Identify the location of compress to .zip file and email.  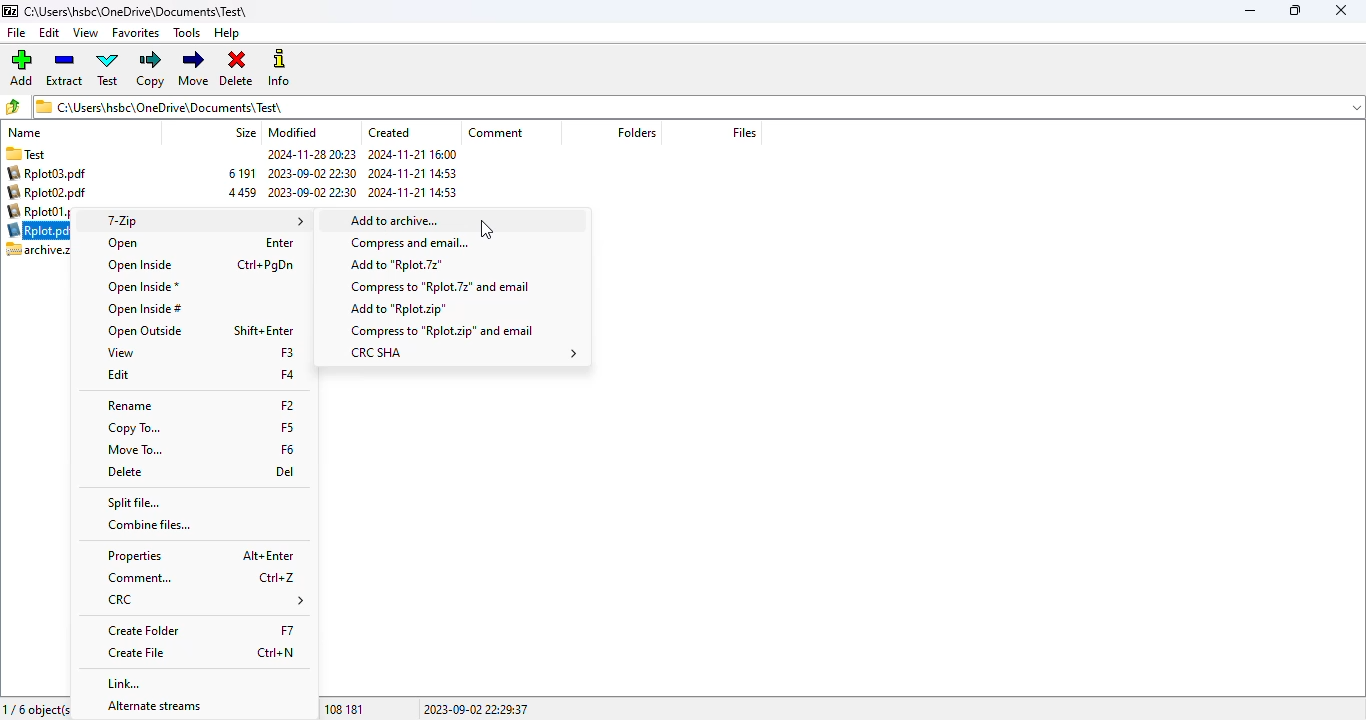
(443, 330).